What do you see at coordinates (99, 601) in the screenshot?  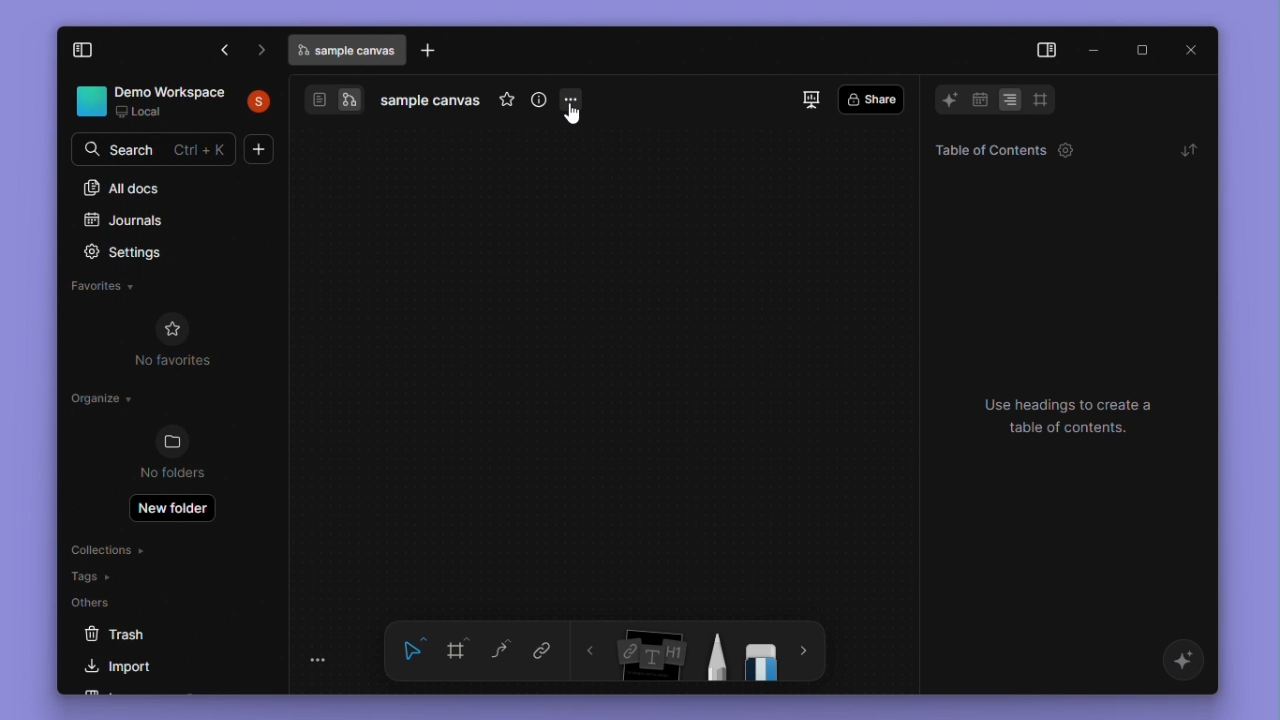 I see `Others` at bounding box center [99, 601].